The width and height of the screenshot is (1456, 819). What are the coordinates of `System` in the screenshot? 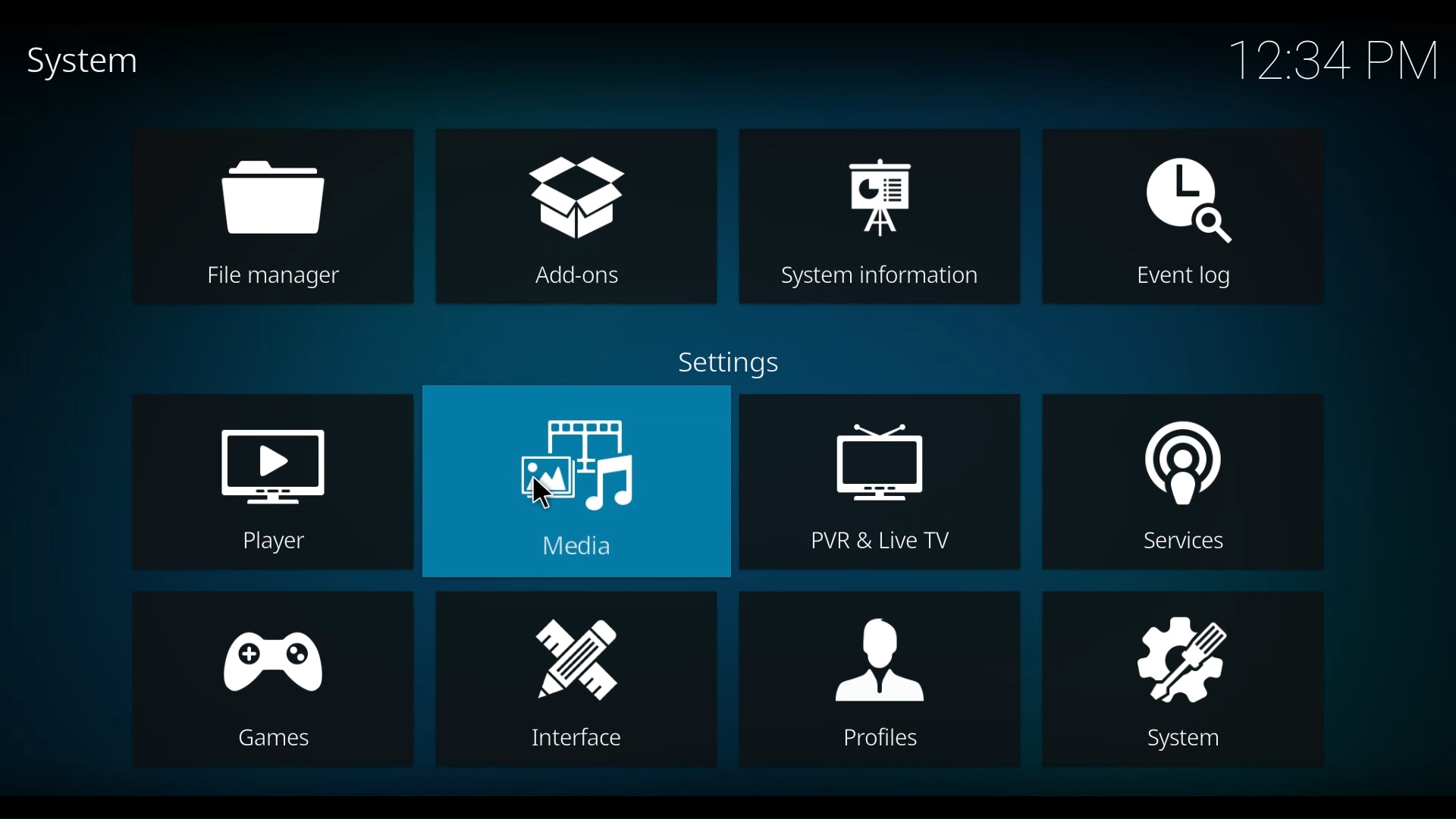 It's located at (1181, 679).